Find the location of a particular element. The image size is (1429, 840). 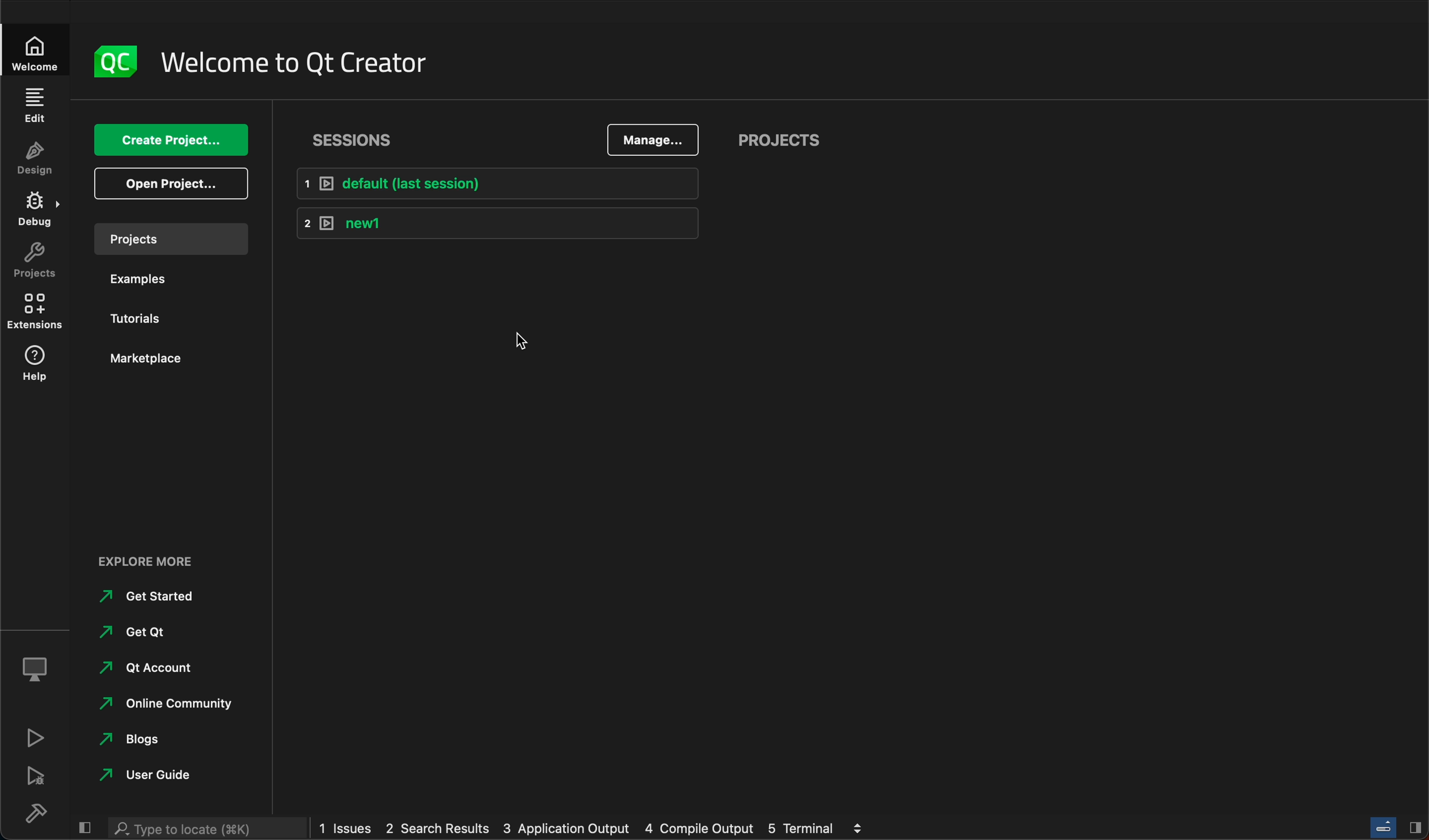

view output is located at coordinates (861, 824).